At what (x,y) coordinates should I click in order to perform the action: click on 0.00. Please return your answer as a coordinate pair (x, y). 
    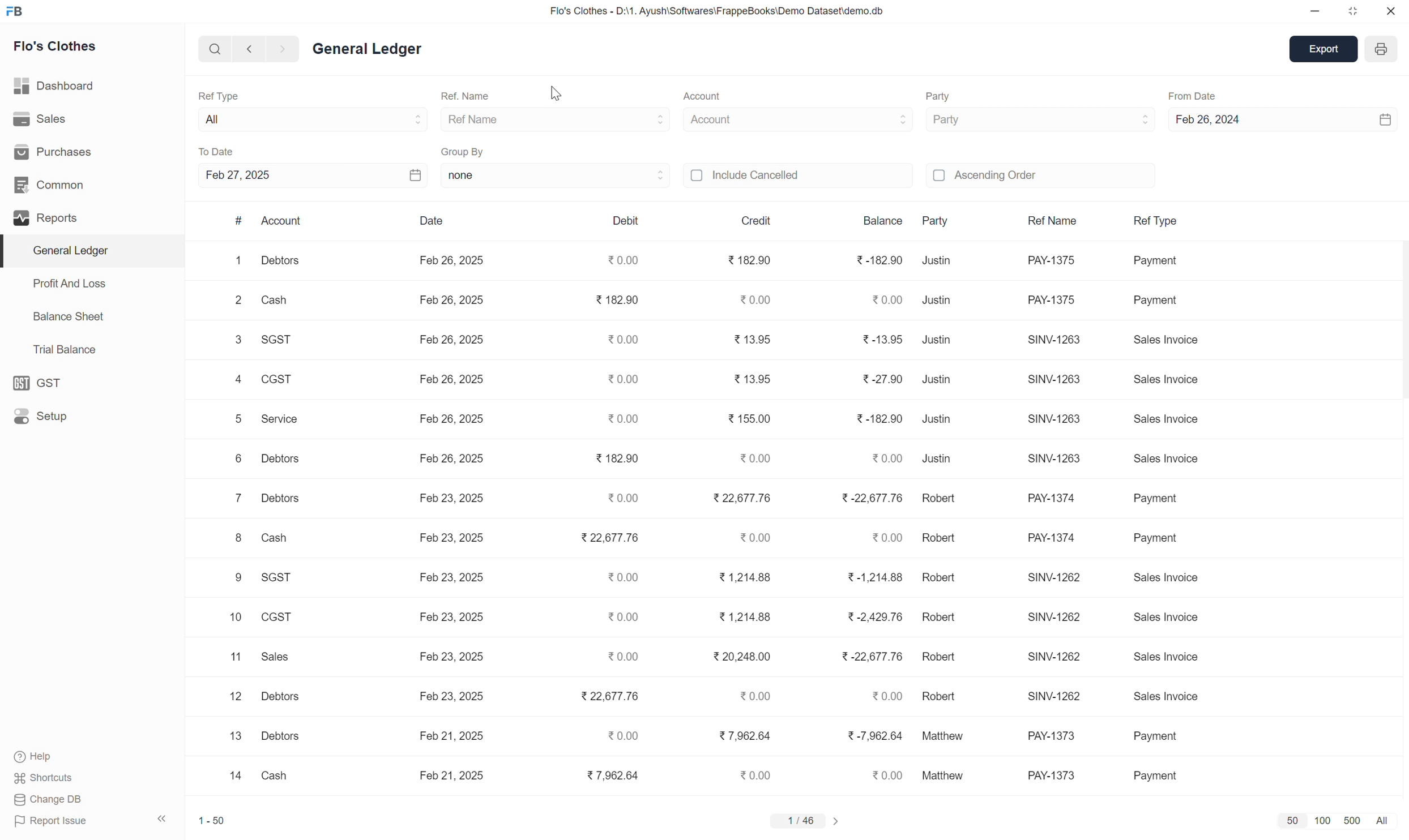
    Looking at the image, I should click on (888, 777).